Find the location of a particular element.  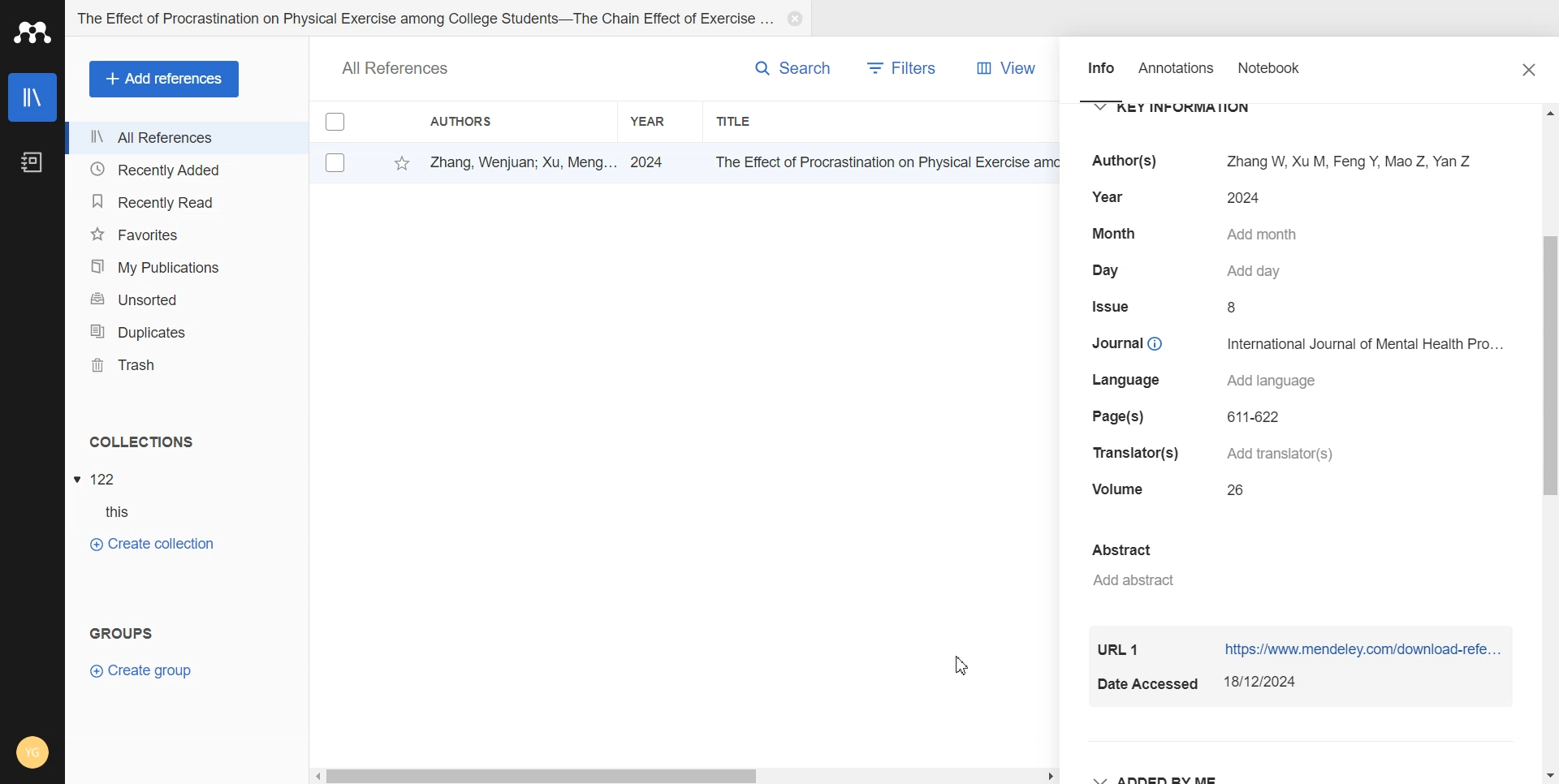

Issue 8 is located at coordinates (1170, 308).